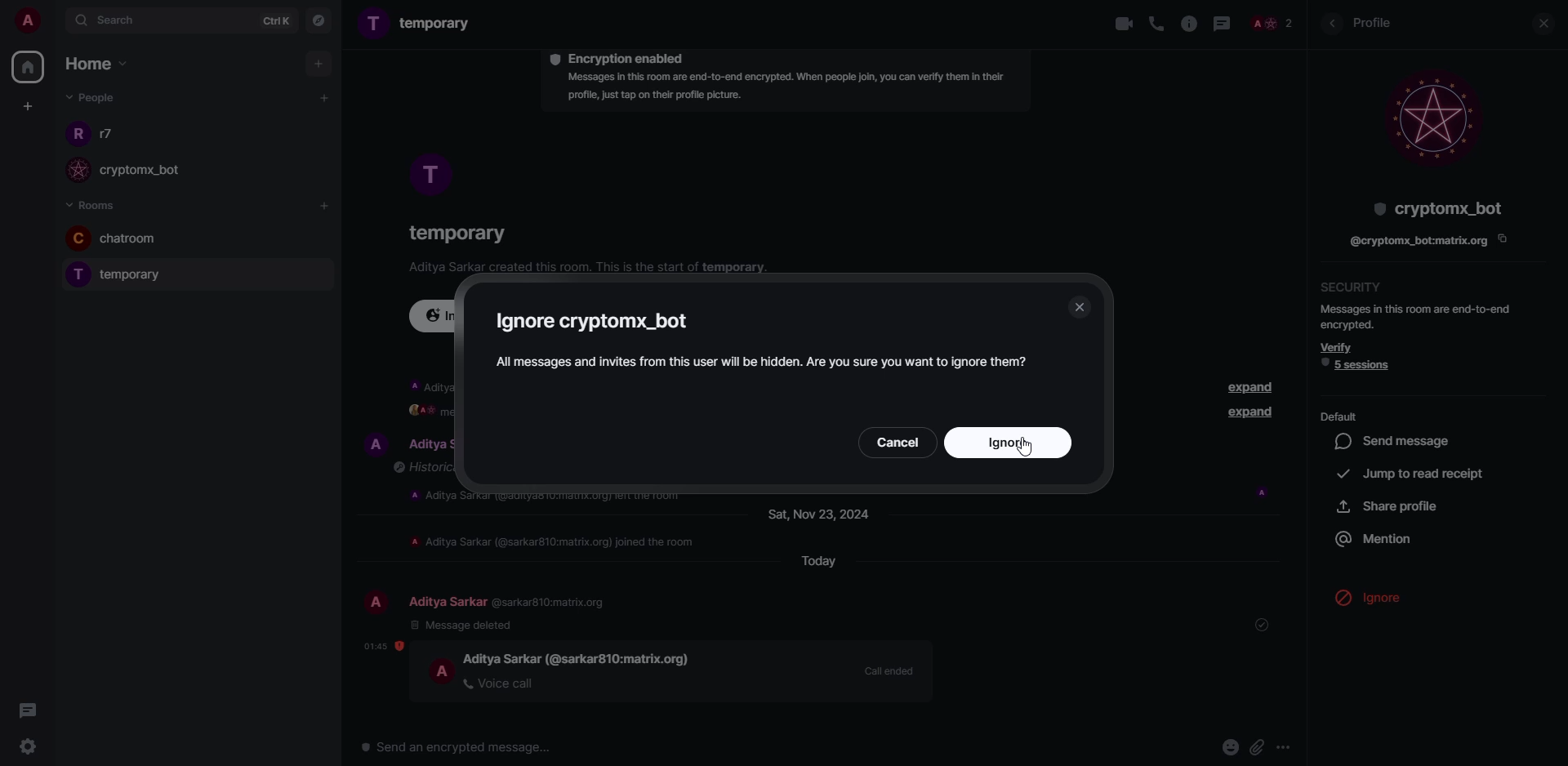 This screenshot has height=766, width=1568. Describe the element at coordinates (1116, 23) in the screenshot. I see `video call` at that location.